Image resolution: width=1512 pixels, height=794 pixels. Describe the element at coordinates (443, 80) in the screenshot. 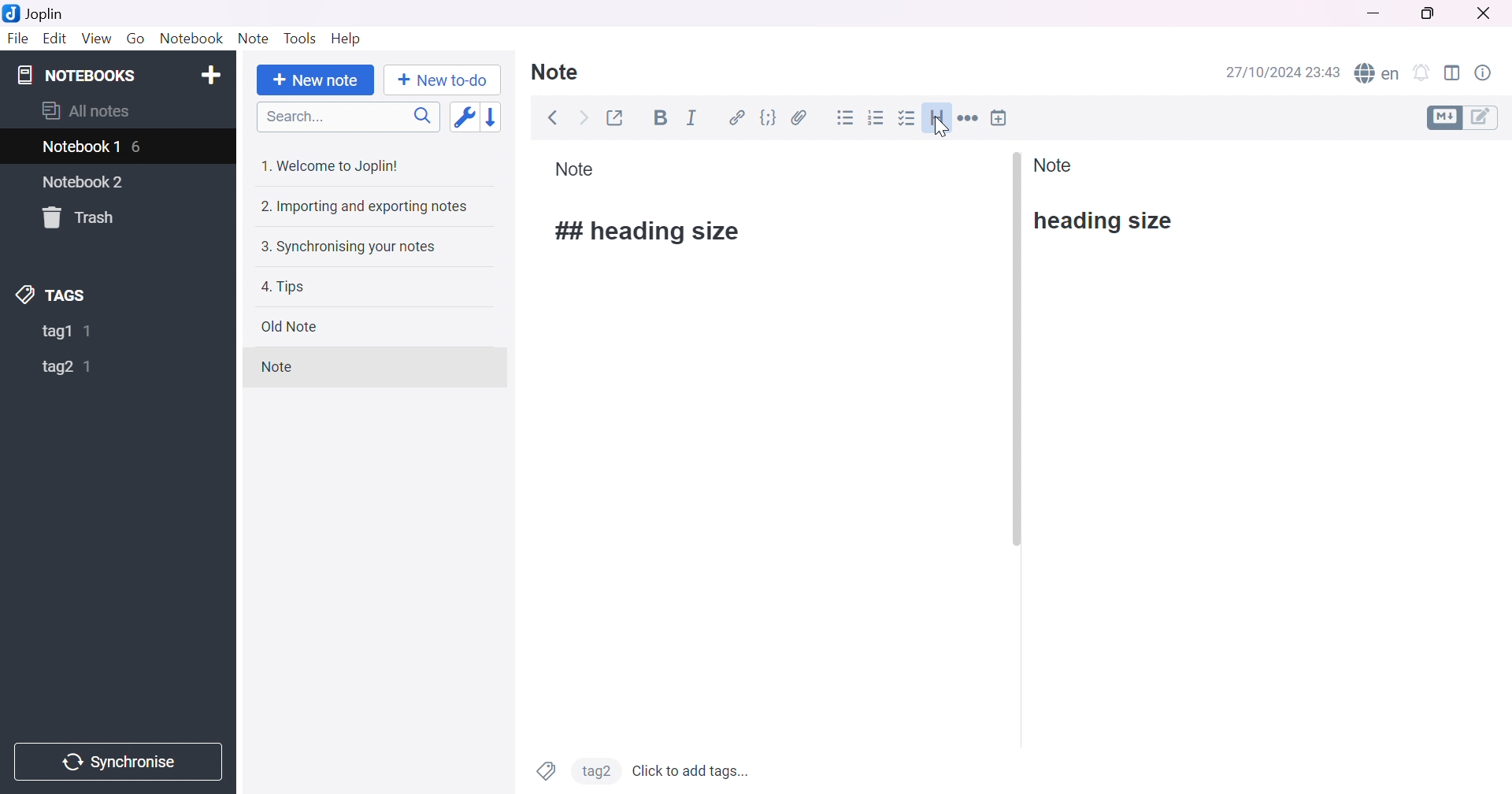

I see `+ New to-do` at that location.